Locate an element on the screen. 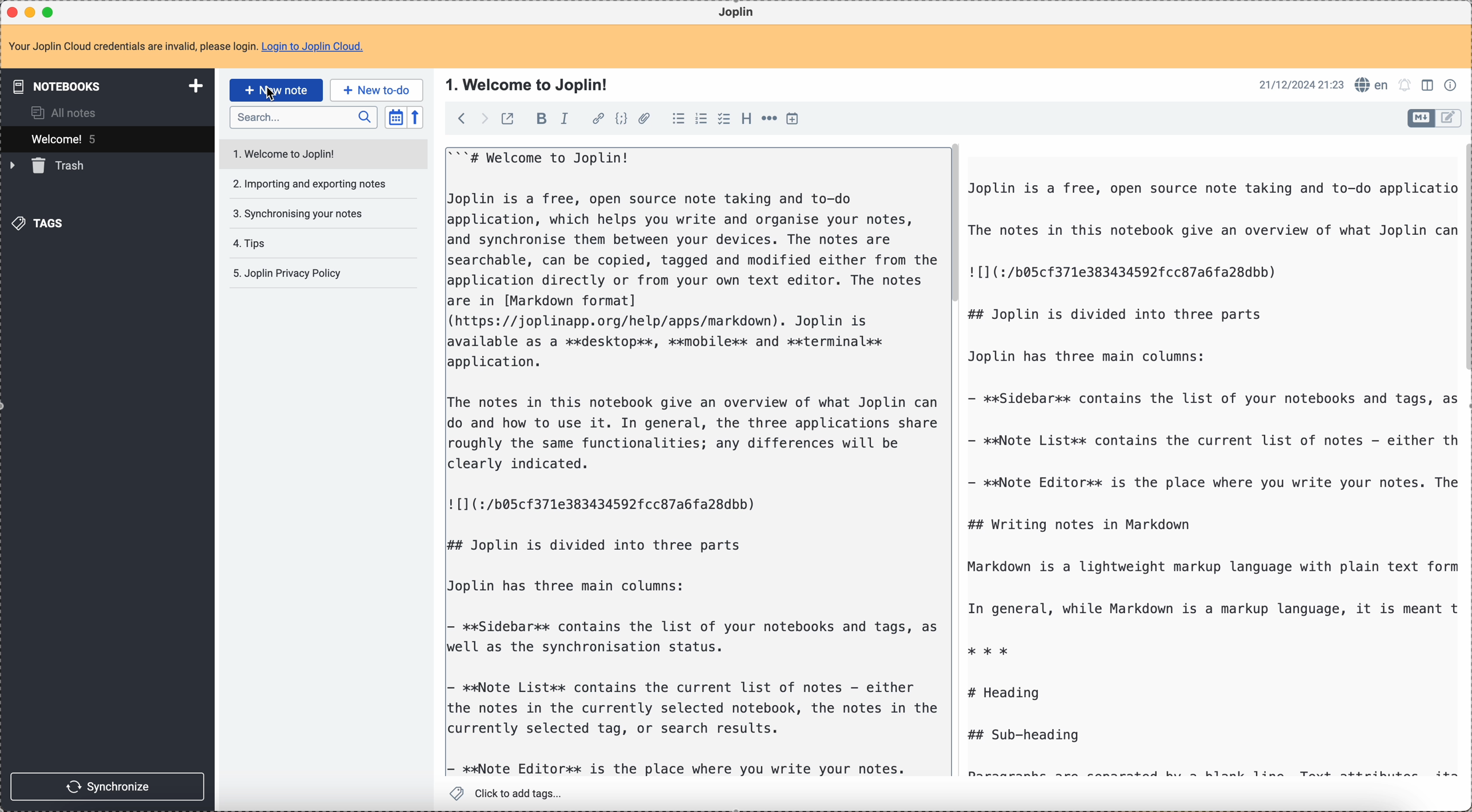 The image size is (1472, 812). scroll bar is located at coordinates (954, 225).